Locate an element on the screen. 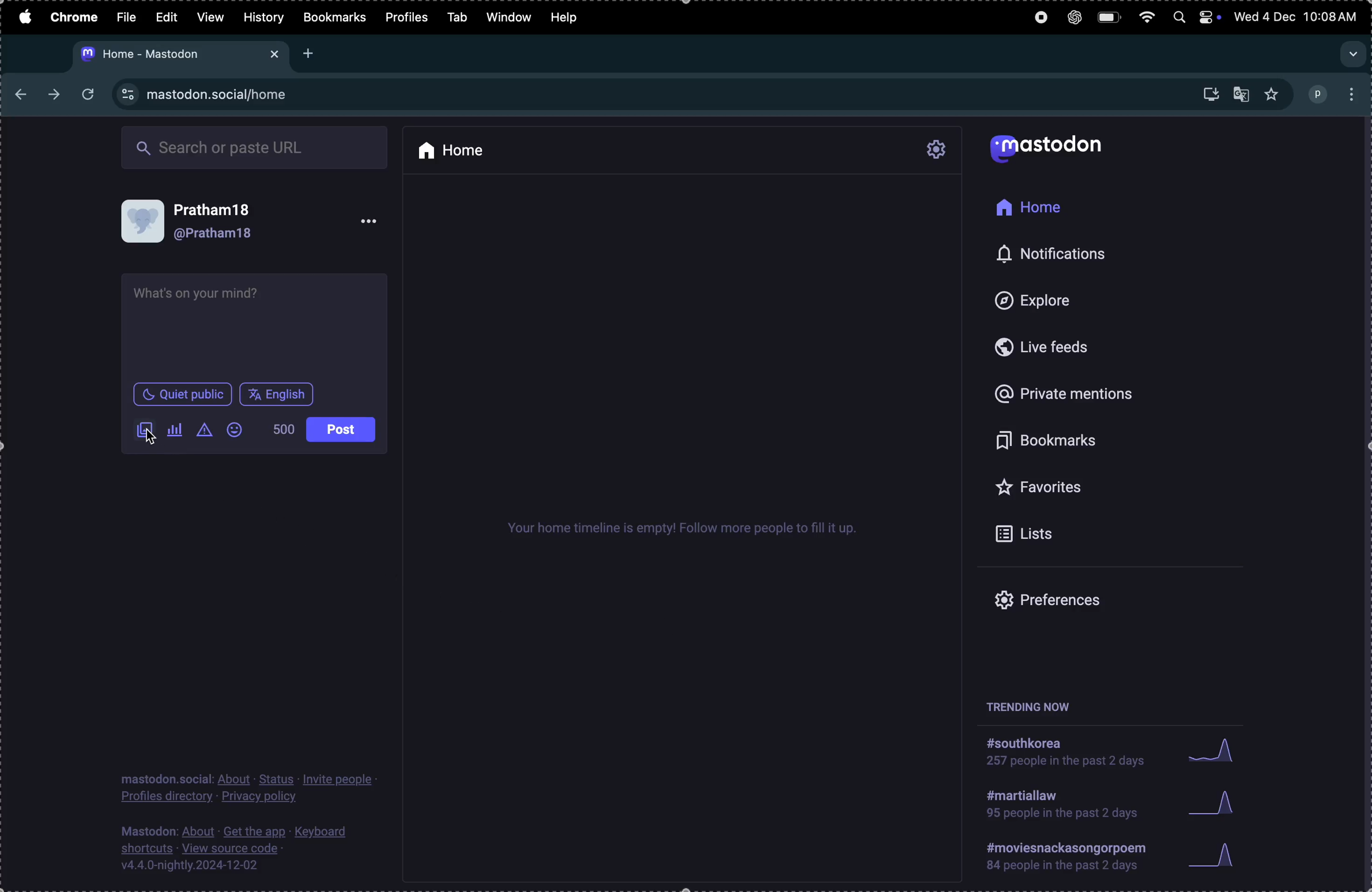 This screenshot has height=892, width=1372. Home is located at coordinates (1028, 209).